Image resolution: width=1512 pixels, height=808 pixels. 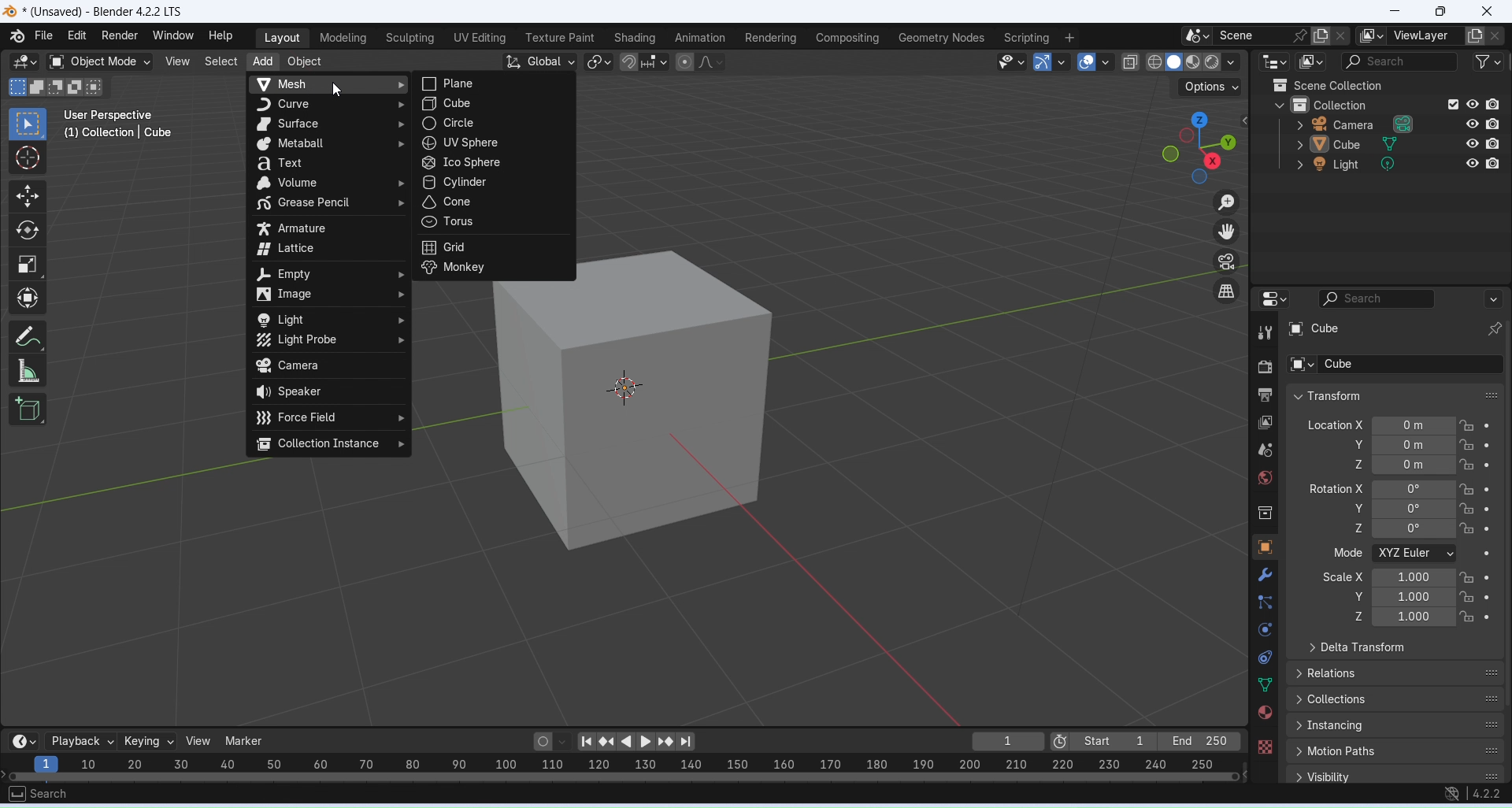 I want to click on lattice, so click(x=327, y=248).